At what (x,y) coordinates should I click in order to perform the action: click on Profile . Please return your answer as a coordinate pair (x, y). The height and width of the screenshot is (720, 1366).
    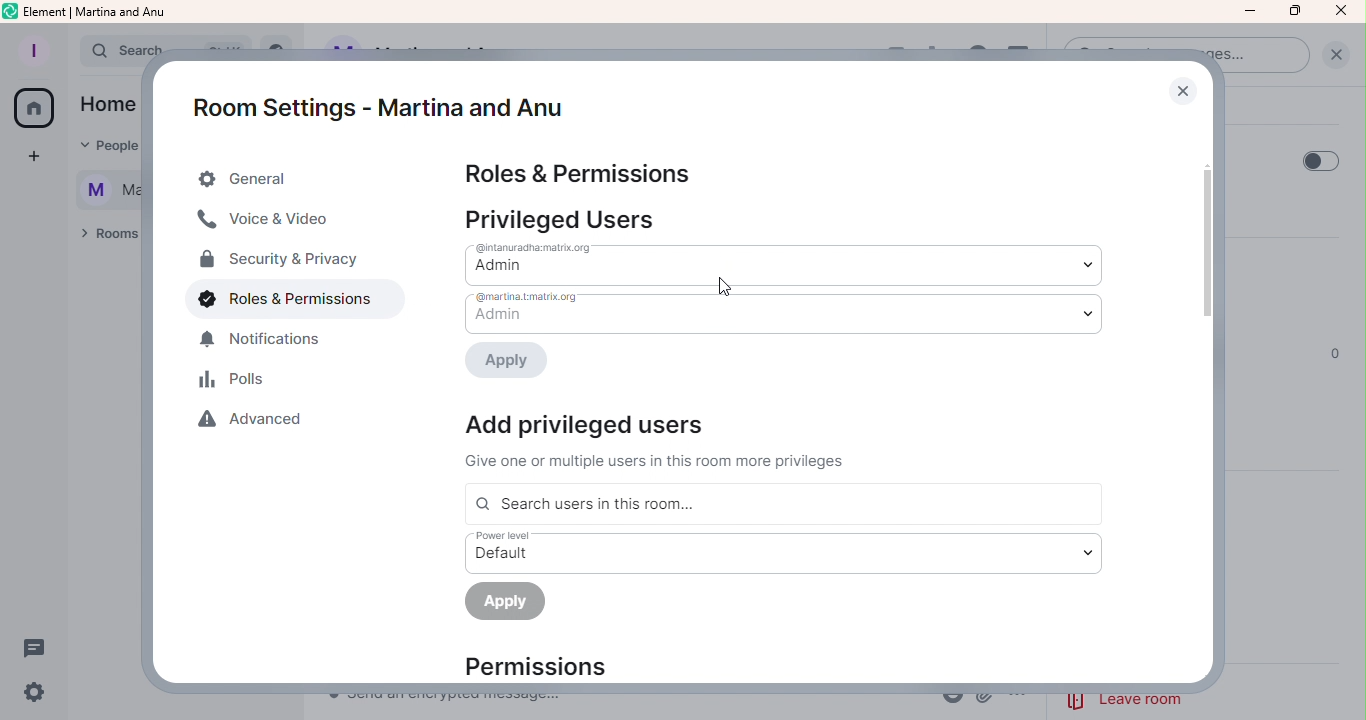
    Looking at the image, I should click on (33, 47).